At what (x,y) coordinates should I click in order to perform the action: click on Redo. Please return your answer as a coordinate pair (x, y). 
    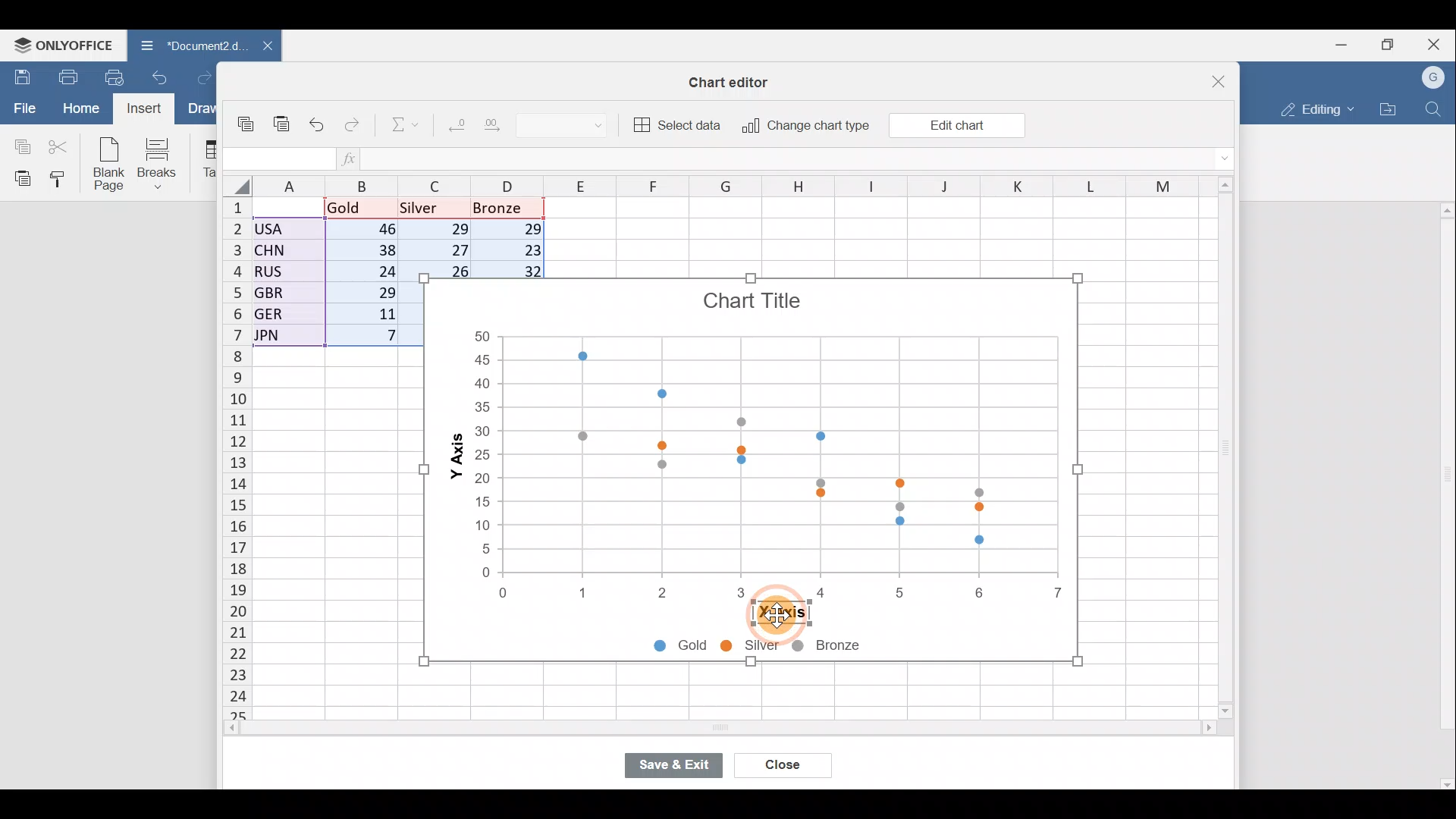
    Looking at the image, I should click on (353, 121).